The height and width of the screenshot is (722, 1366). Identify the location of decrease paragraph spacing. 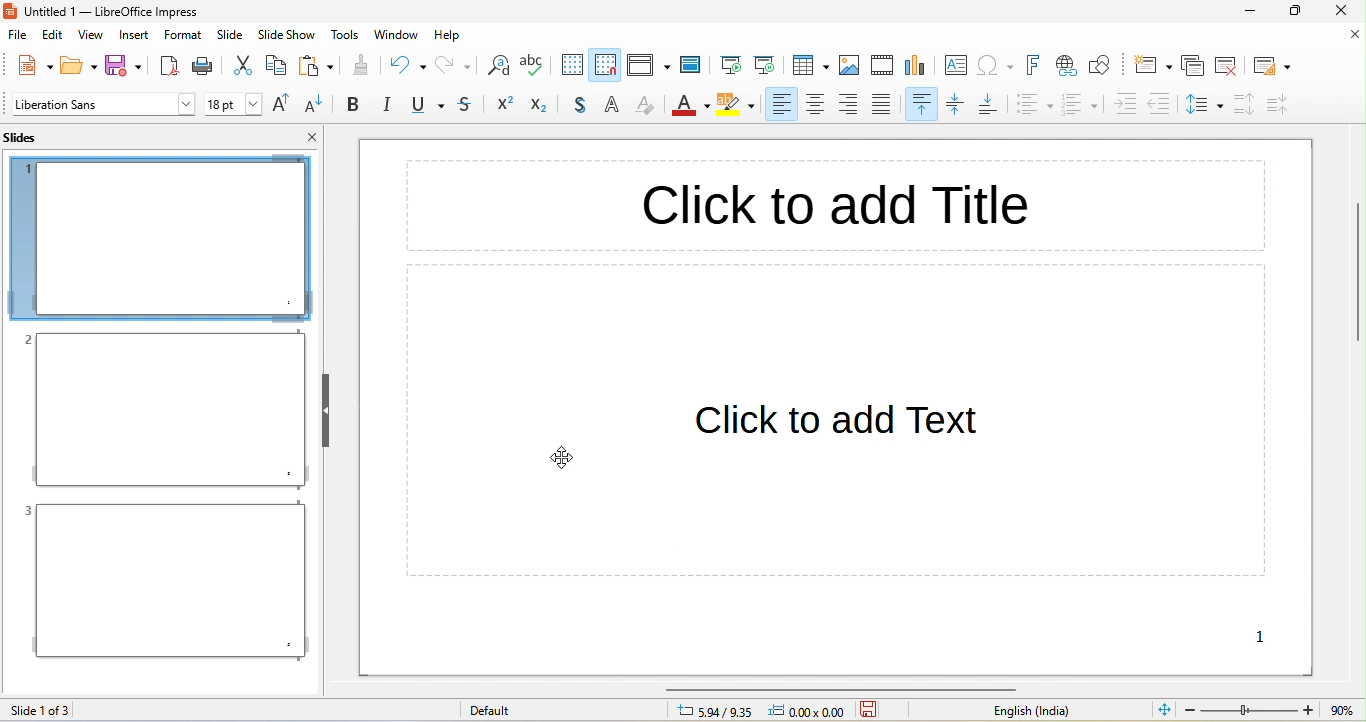
(1280, 104).